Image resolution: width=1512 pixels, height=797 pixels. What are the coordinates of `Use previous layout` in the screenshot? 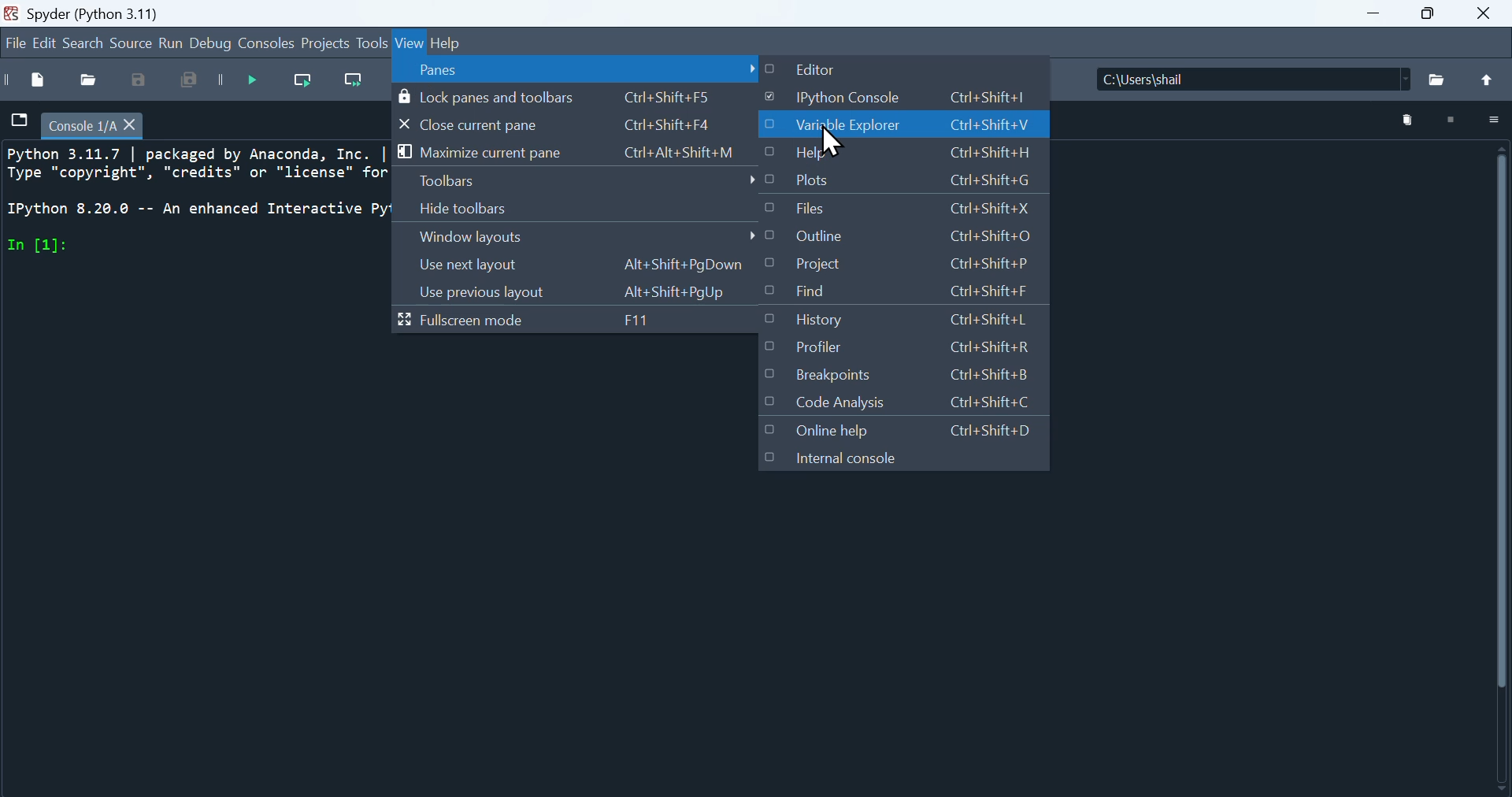 It's located at (570, 291).